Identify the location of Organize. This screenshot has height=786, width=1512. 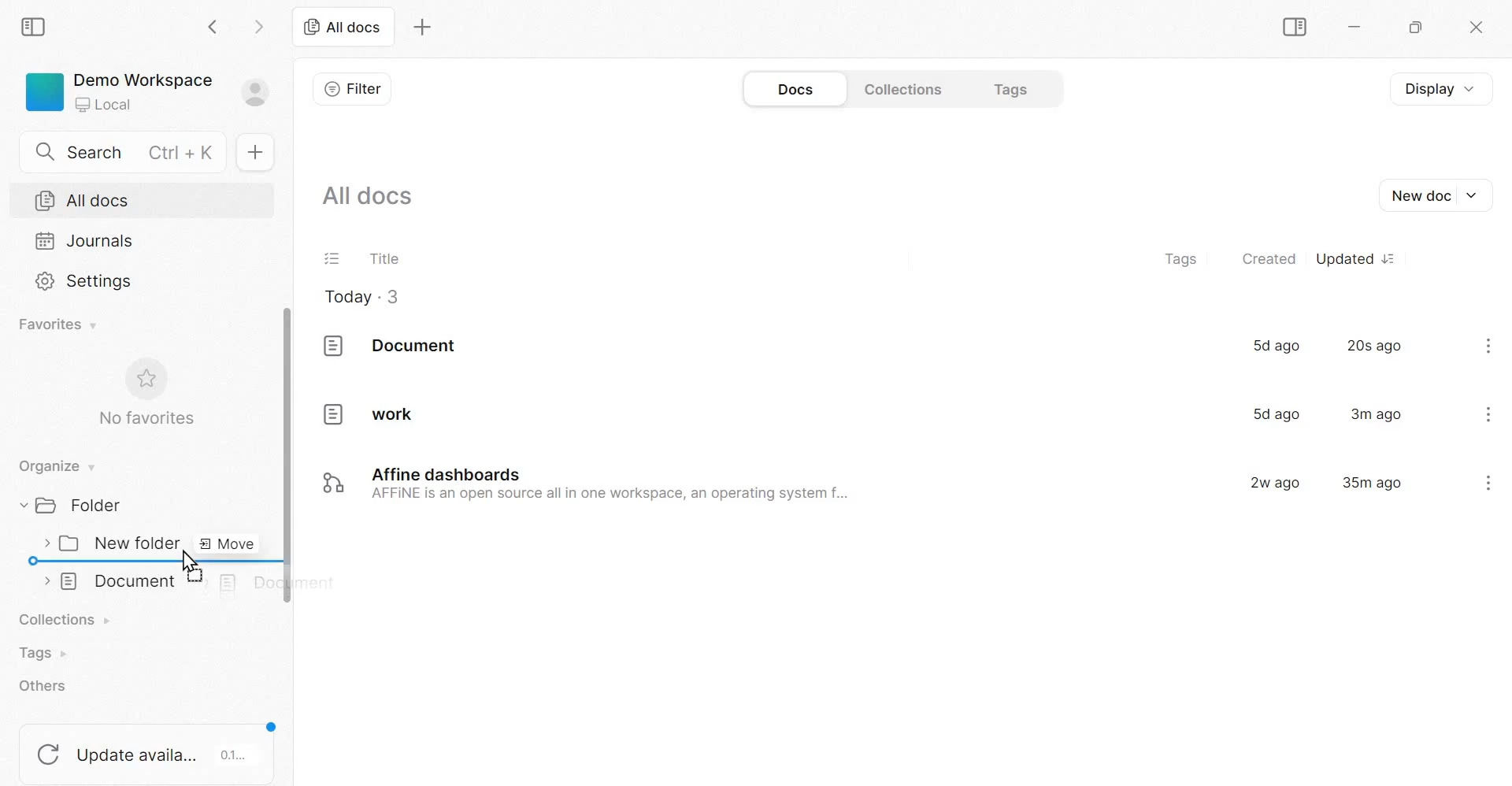
(55, 464).